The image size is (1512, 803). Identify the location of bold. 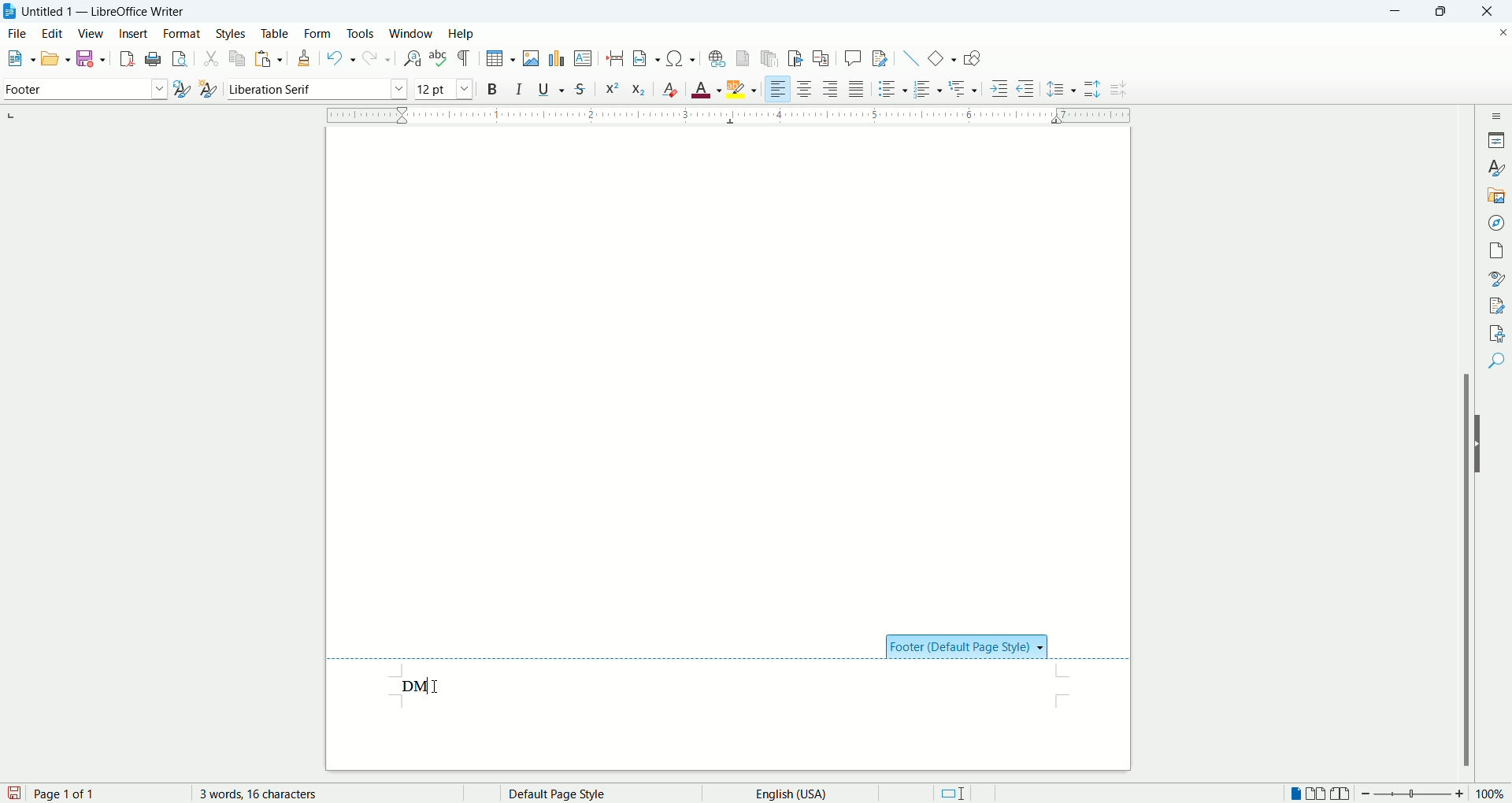
(492, 88).